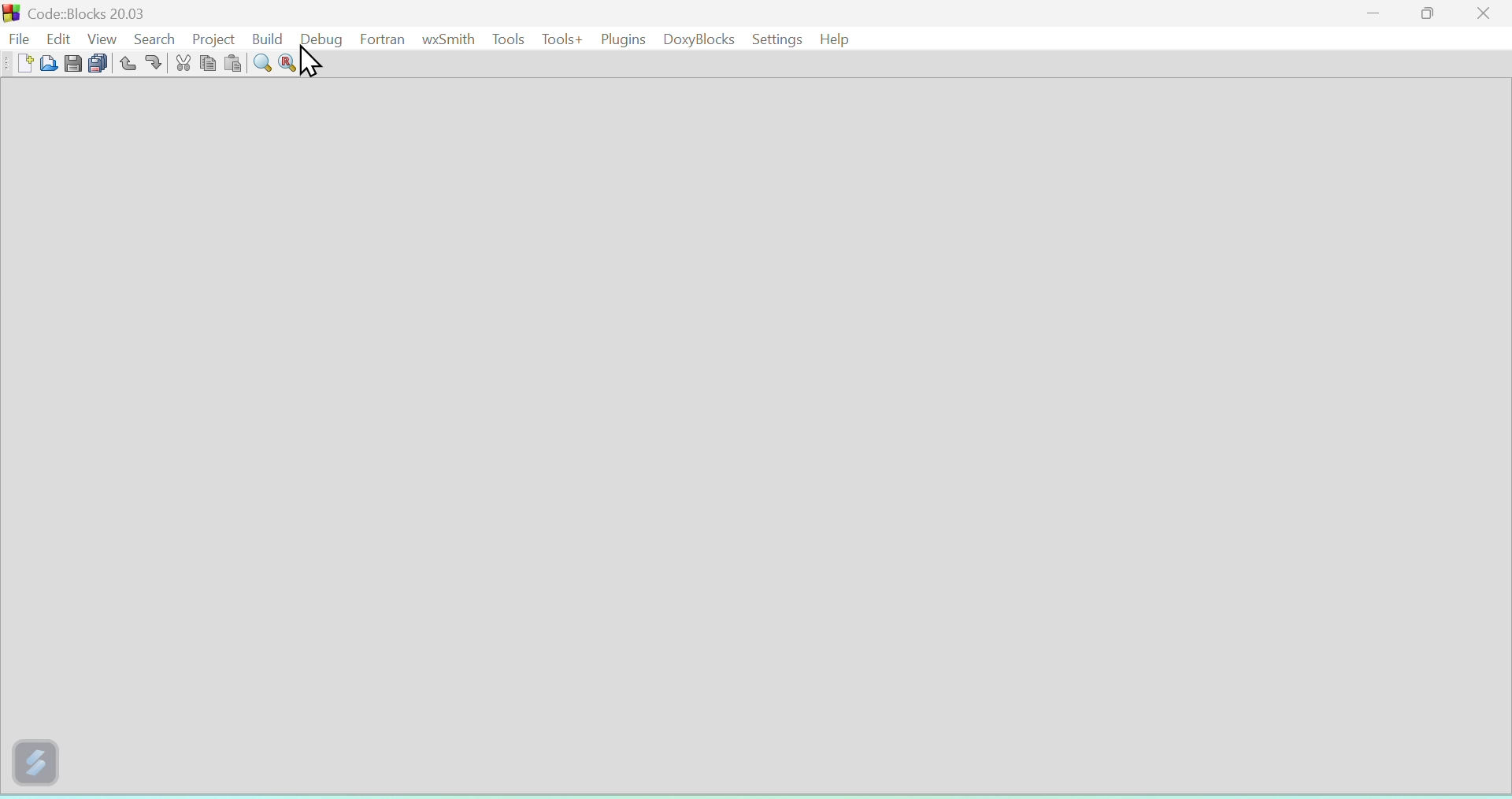 Image resolution: width=1512 pixels, height=799 pixels. Describe the element at coordinates (261, 64) in the screenshot. I see `find` at that location.